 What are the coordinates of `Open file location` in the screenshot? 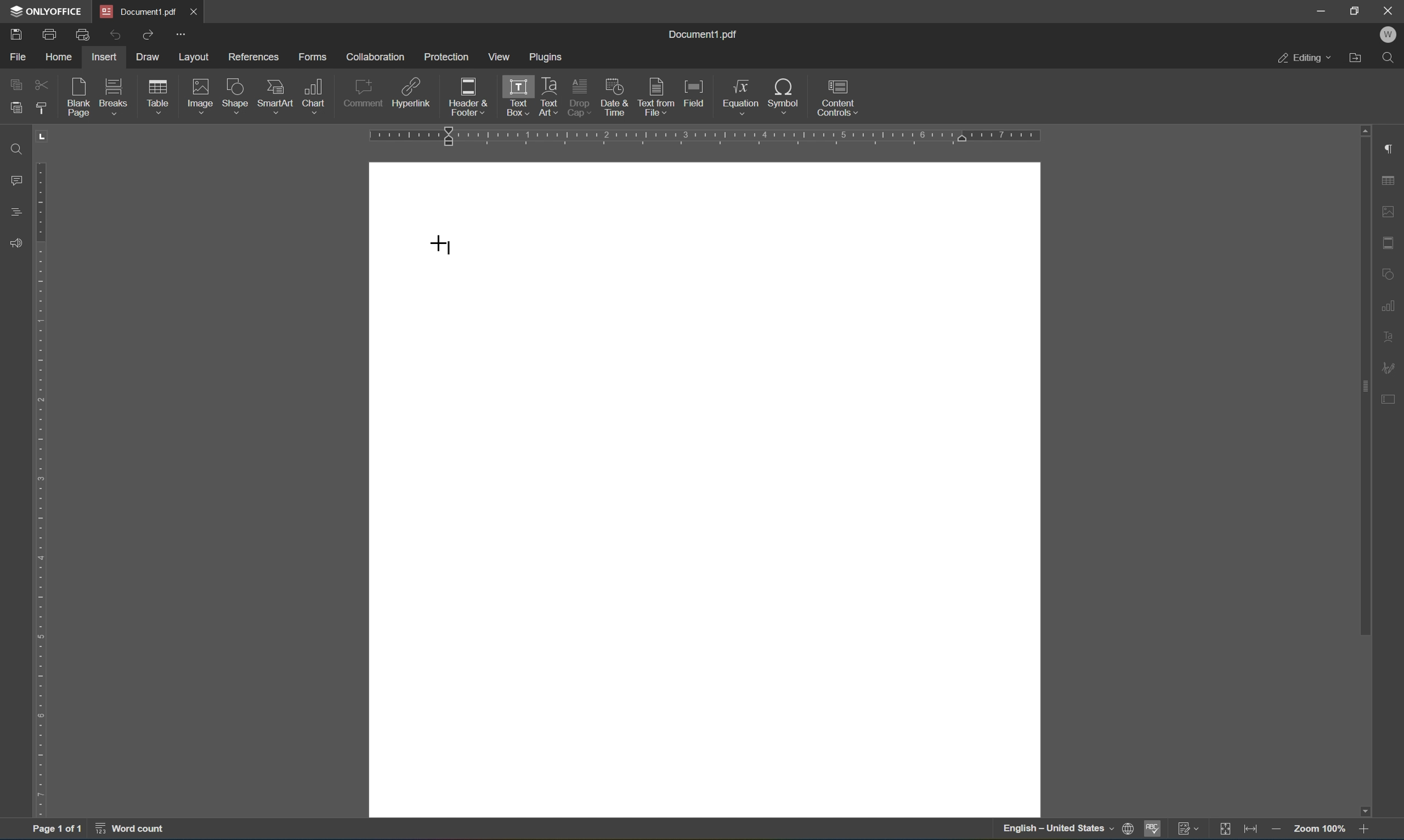 It's located at (1356, 58).